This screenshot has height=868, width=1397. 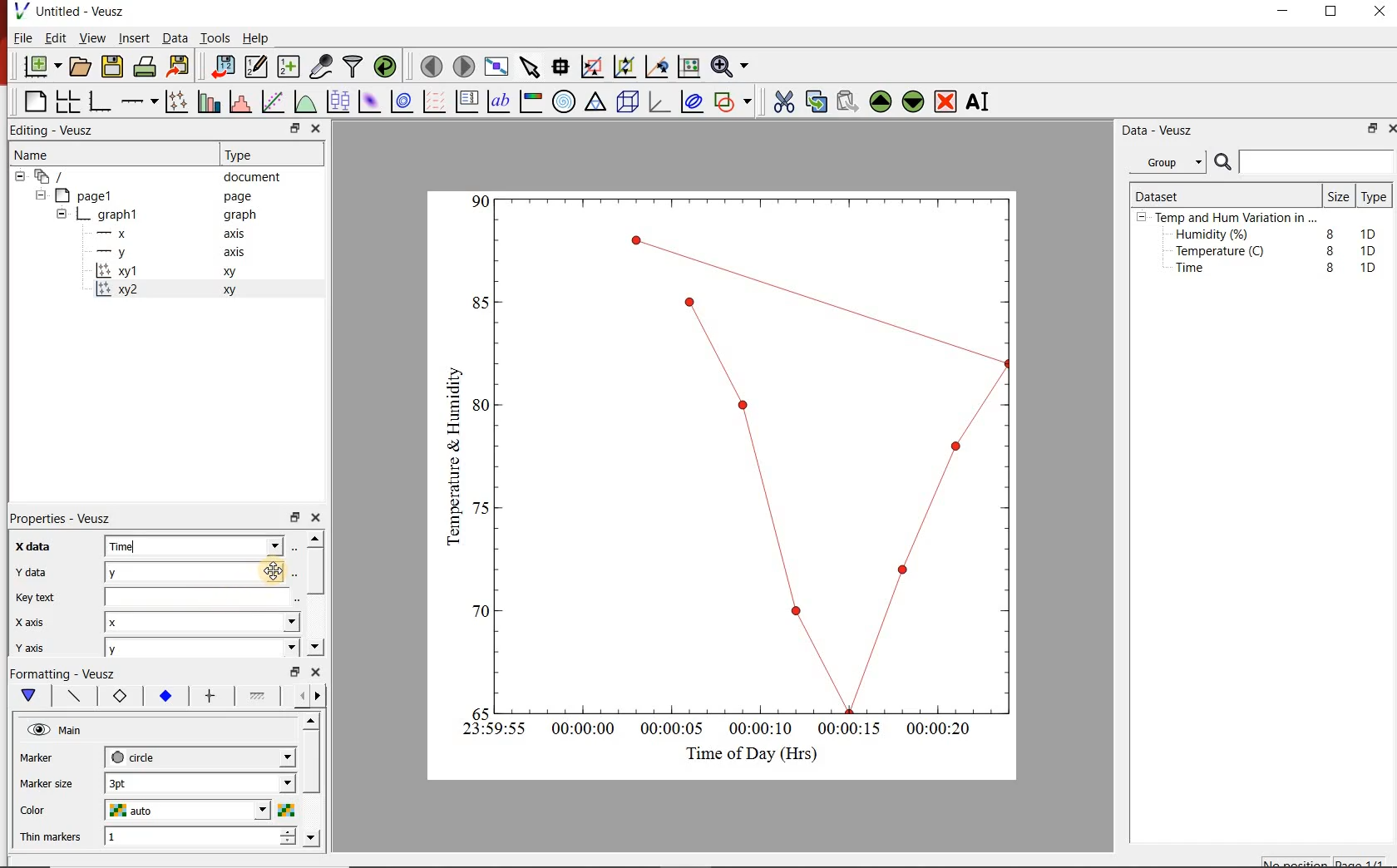 I want to click on 23:59:55, so click(x=487, y=730).